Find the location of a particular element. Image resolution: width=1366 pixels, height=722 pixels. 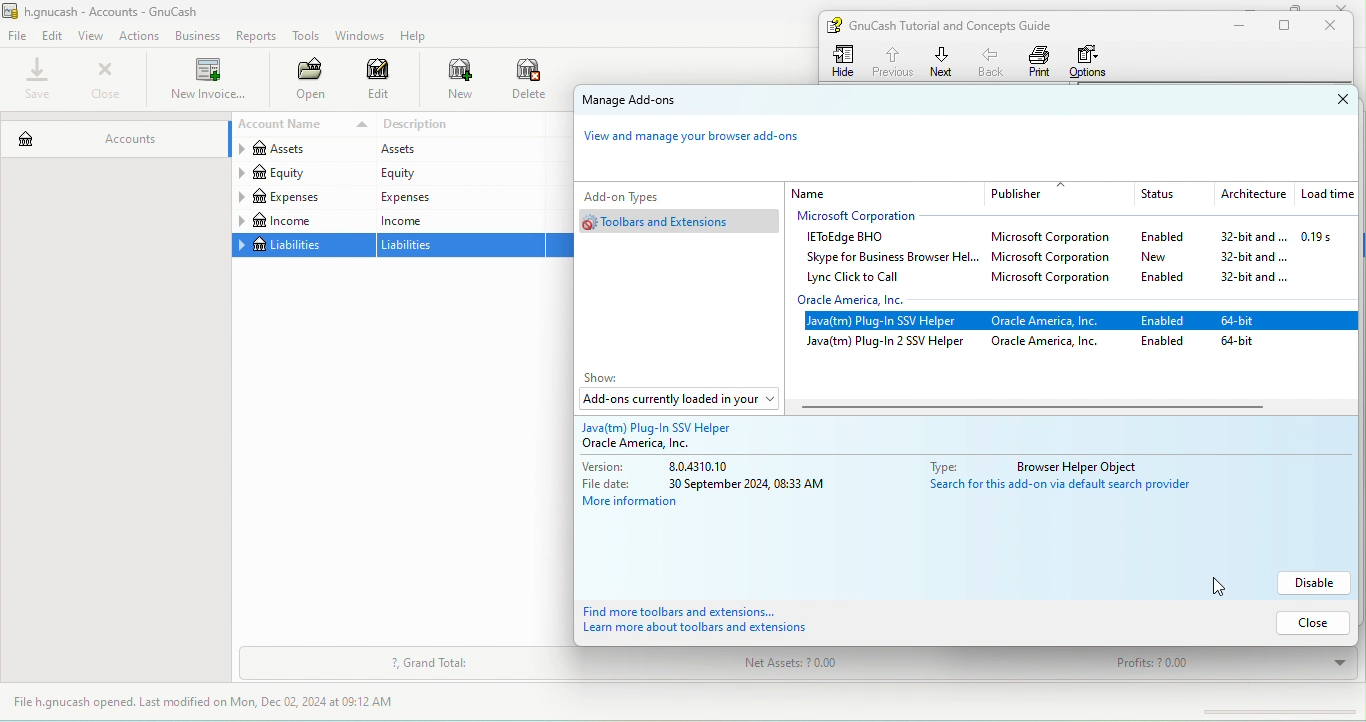

toolbars and extensions is located at coordinates (683, 221).